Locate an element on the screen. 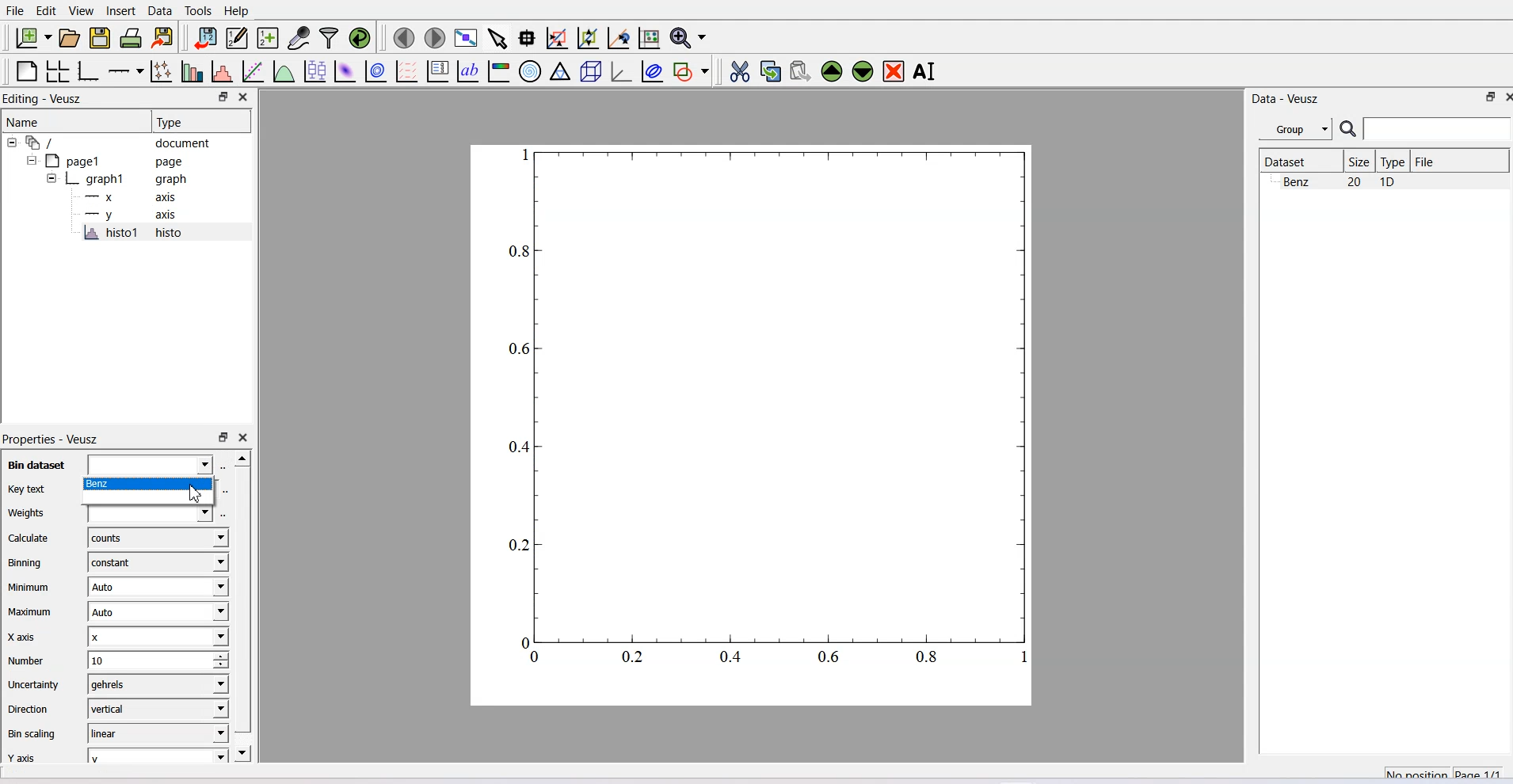 This screenshot has height=784, width=1513. Maximize is located at coordinates (223, 438).